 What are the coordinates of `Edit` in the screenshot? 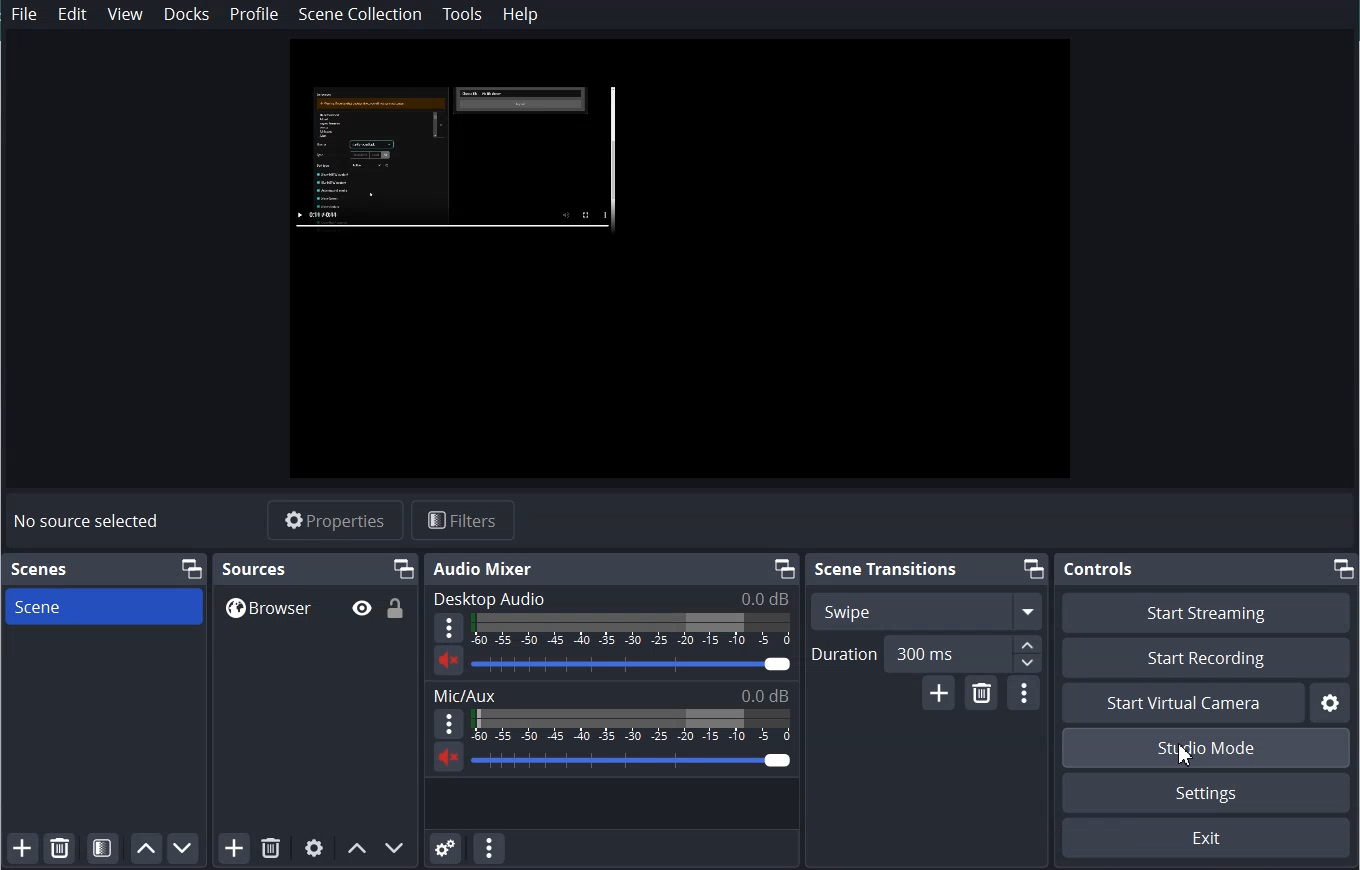 It's located at (73, 14).